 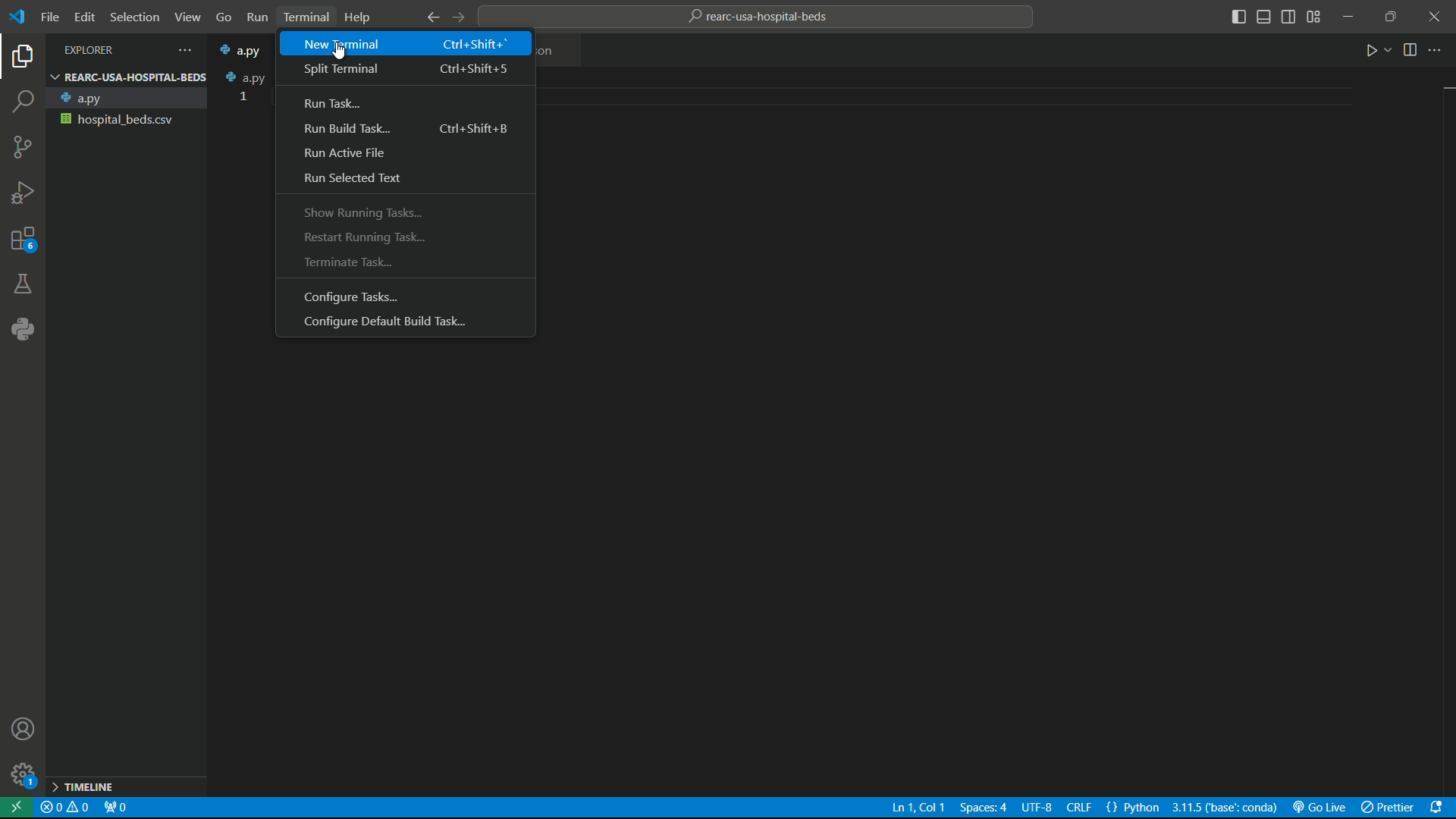 I want to click on explorer, so click(x=21, y=58).